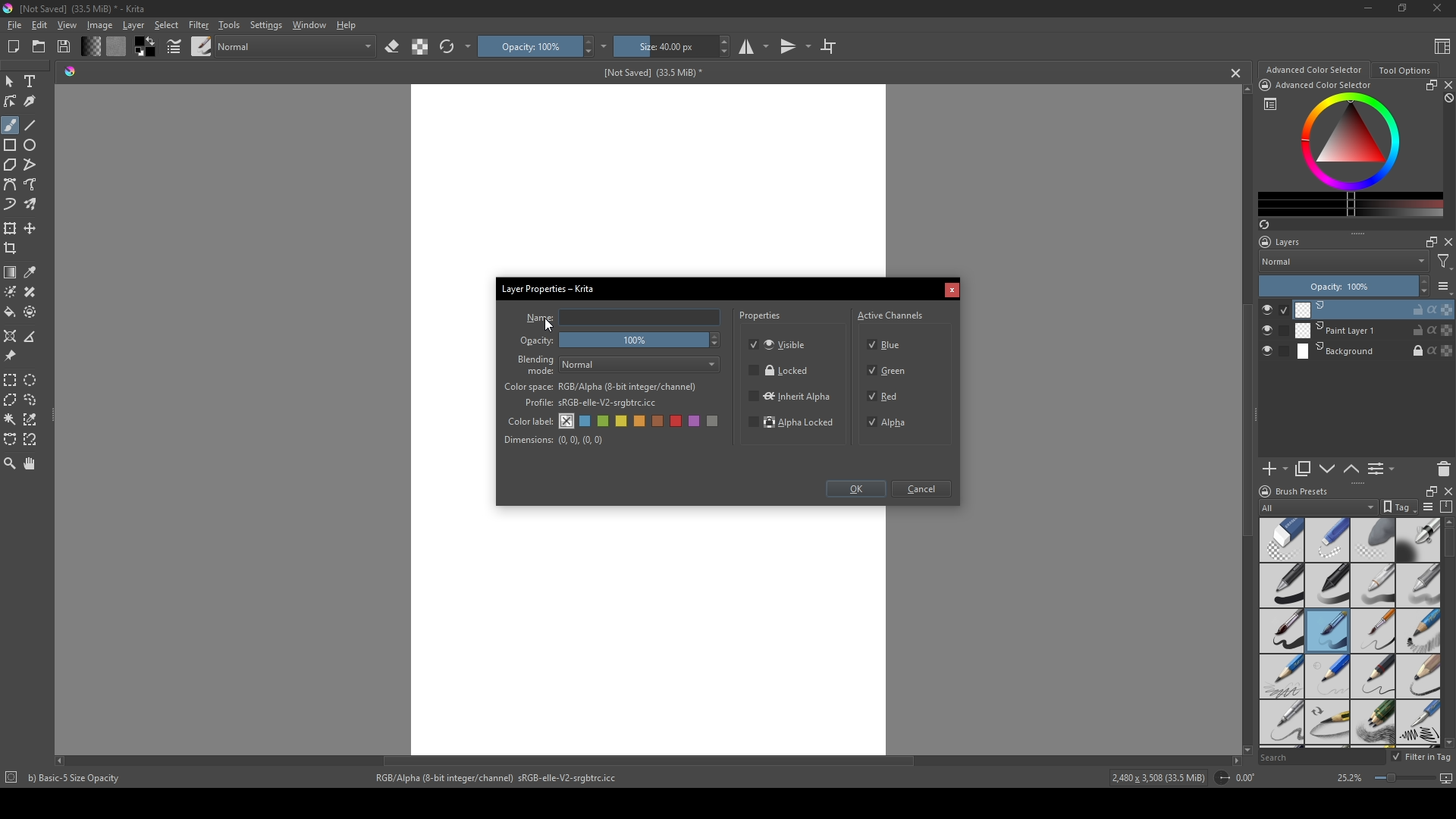 The width and height of the screenshot is (1456, 819). What do you see at coordinates (1423, 293) in the screenshot?
I see `decrease` at bounding box center [1423, 293].